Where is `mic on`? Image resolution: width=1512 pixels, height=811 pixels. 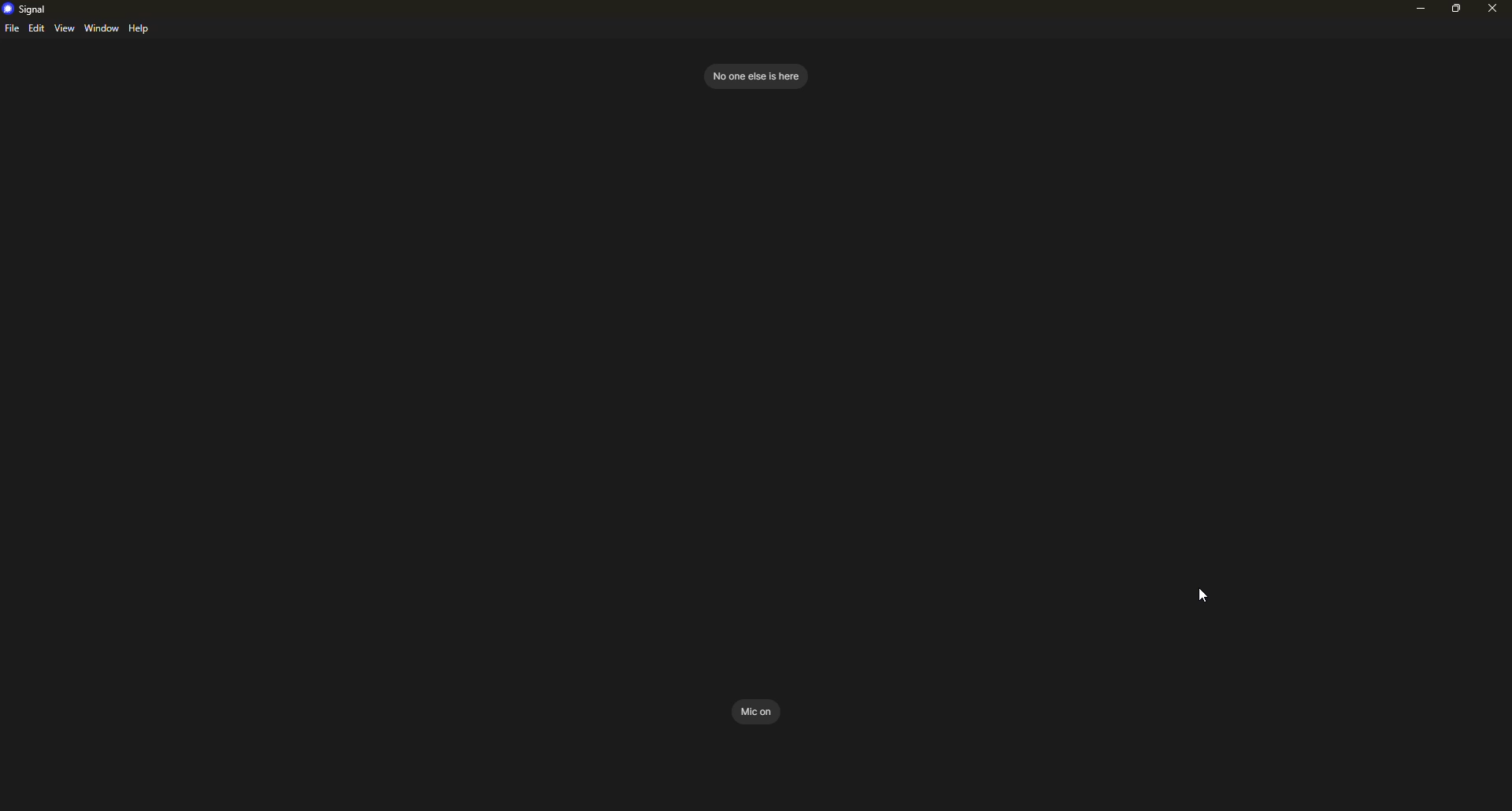 mic on is located at coordinates (758, 711).